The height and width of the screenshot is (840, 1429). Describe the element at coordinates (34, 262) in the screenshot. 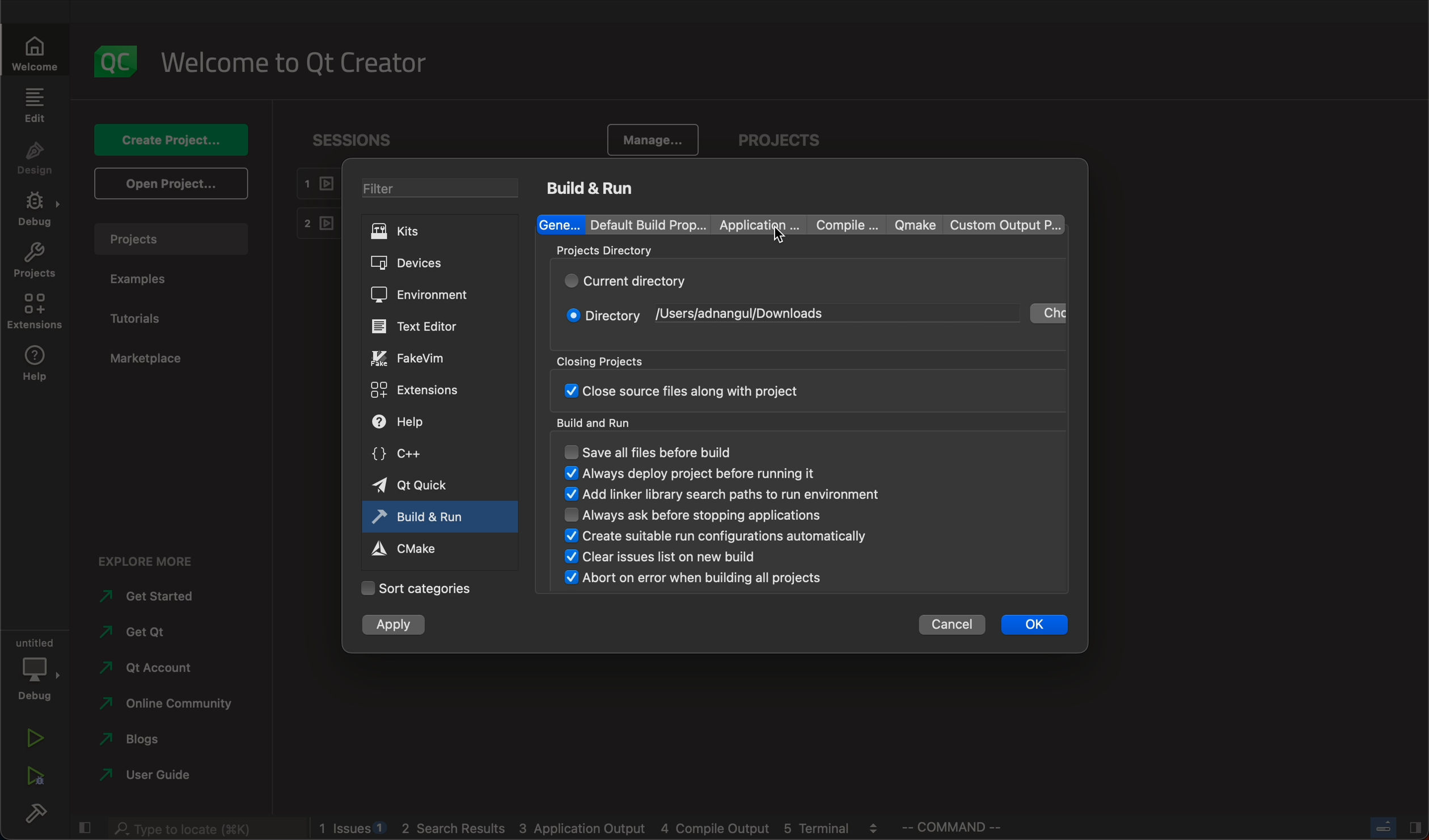

I see `projects` at that location.